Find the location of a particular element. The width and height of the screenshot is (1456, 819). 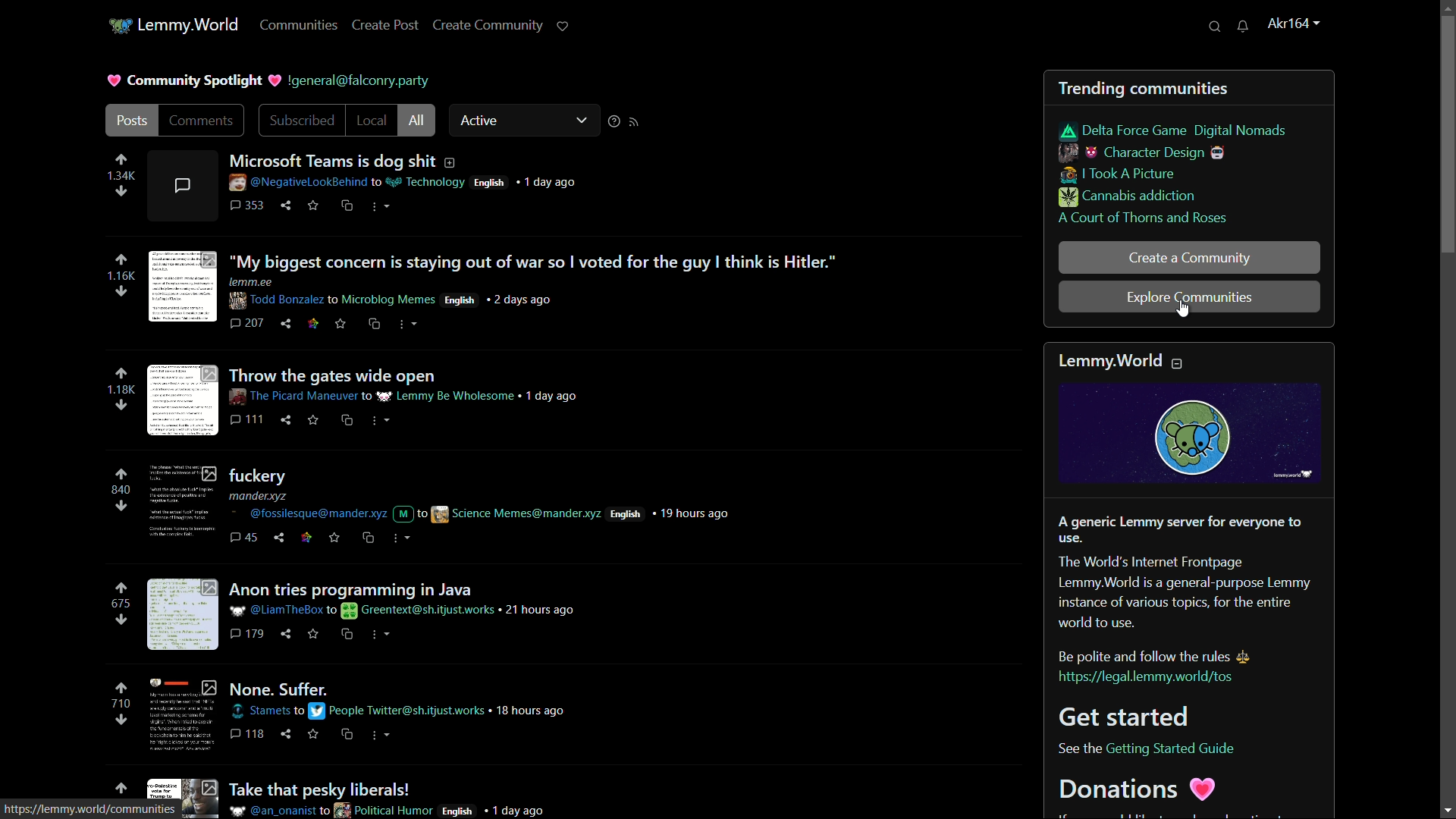

create post is located at coordinates (384, 27).